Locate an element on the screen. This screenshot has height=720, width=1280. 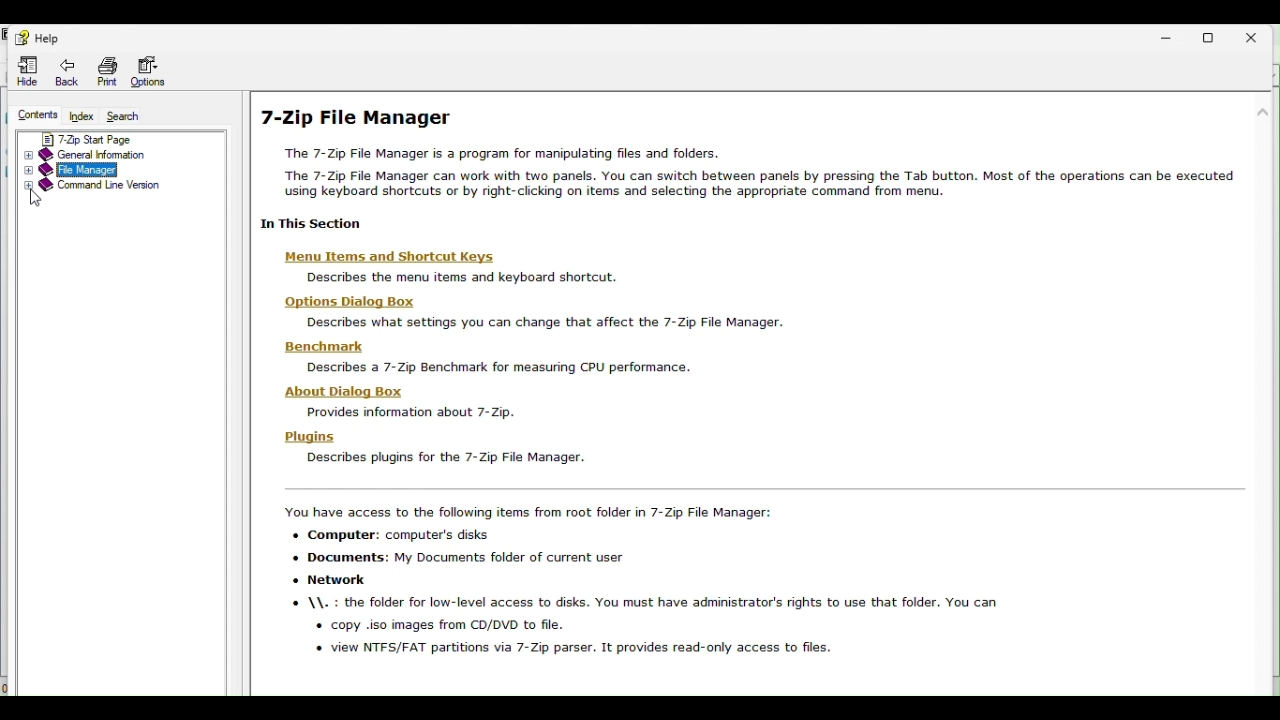
Help  is located at coordinates (34, 37).